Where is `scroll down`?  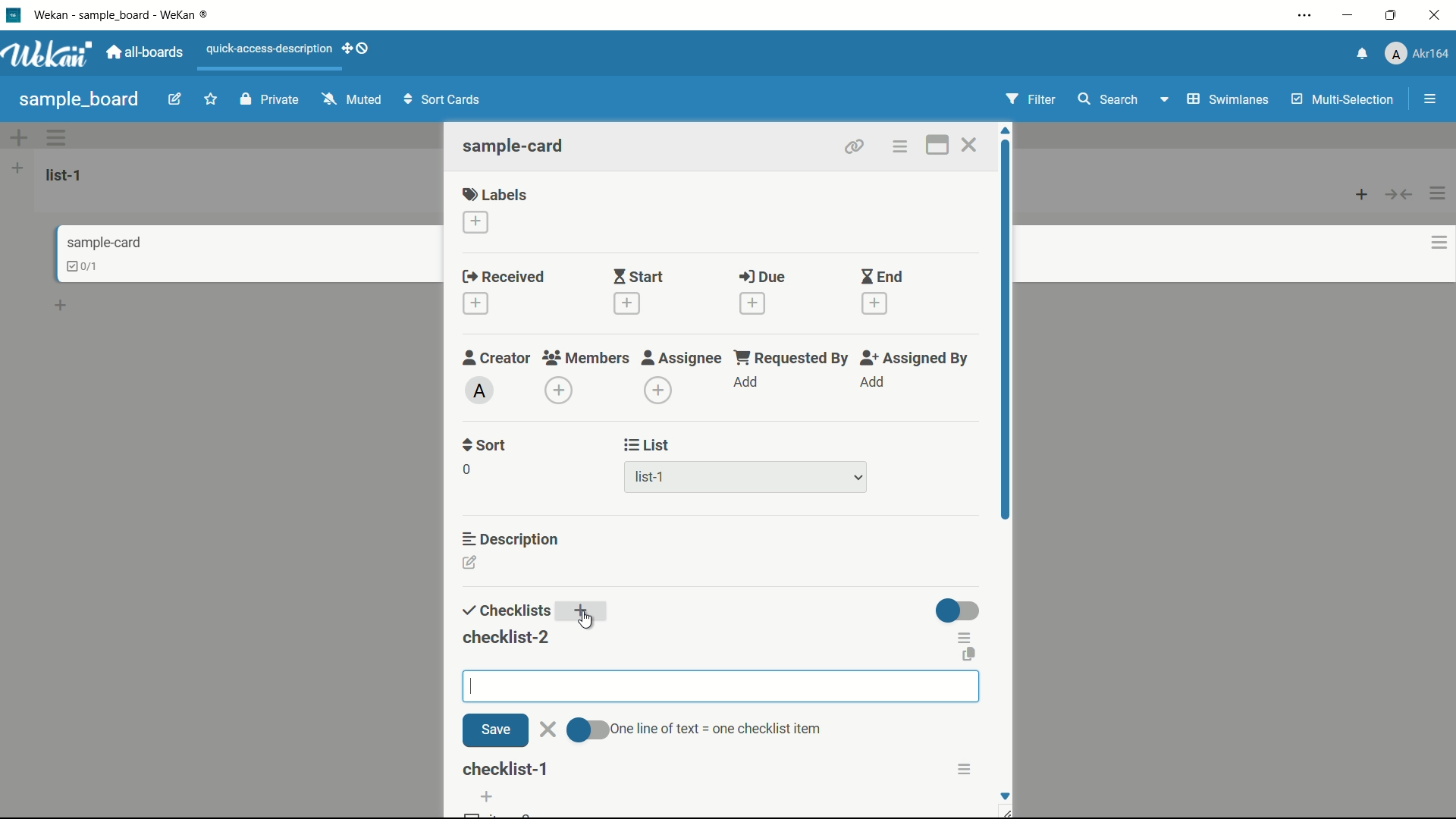 scroll down is located at coordinates (1004, 795).